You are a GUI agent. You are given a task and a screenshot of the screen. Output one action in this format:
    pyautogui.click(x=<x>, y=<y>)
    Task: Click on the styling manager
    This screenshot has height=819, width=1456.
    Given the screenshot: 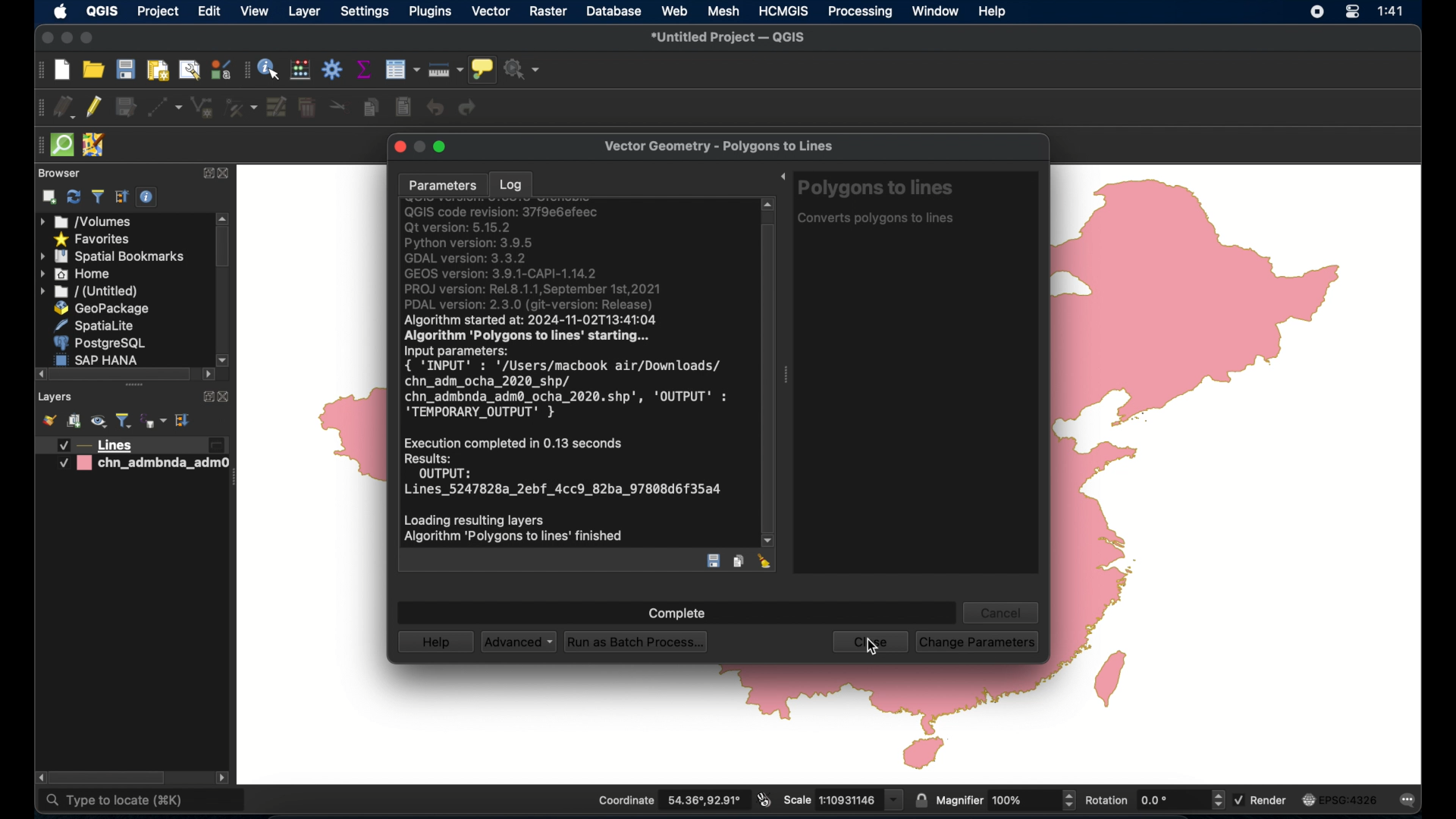 What is the action you would take?
    pyautogui.click(x=221, y=69)
    